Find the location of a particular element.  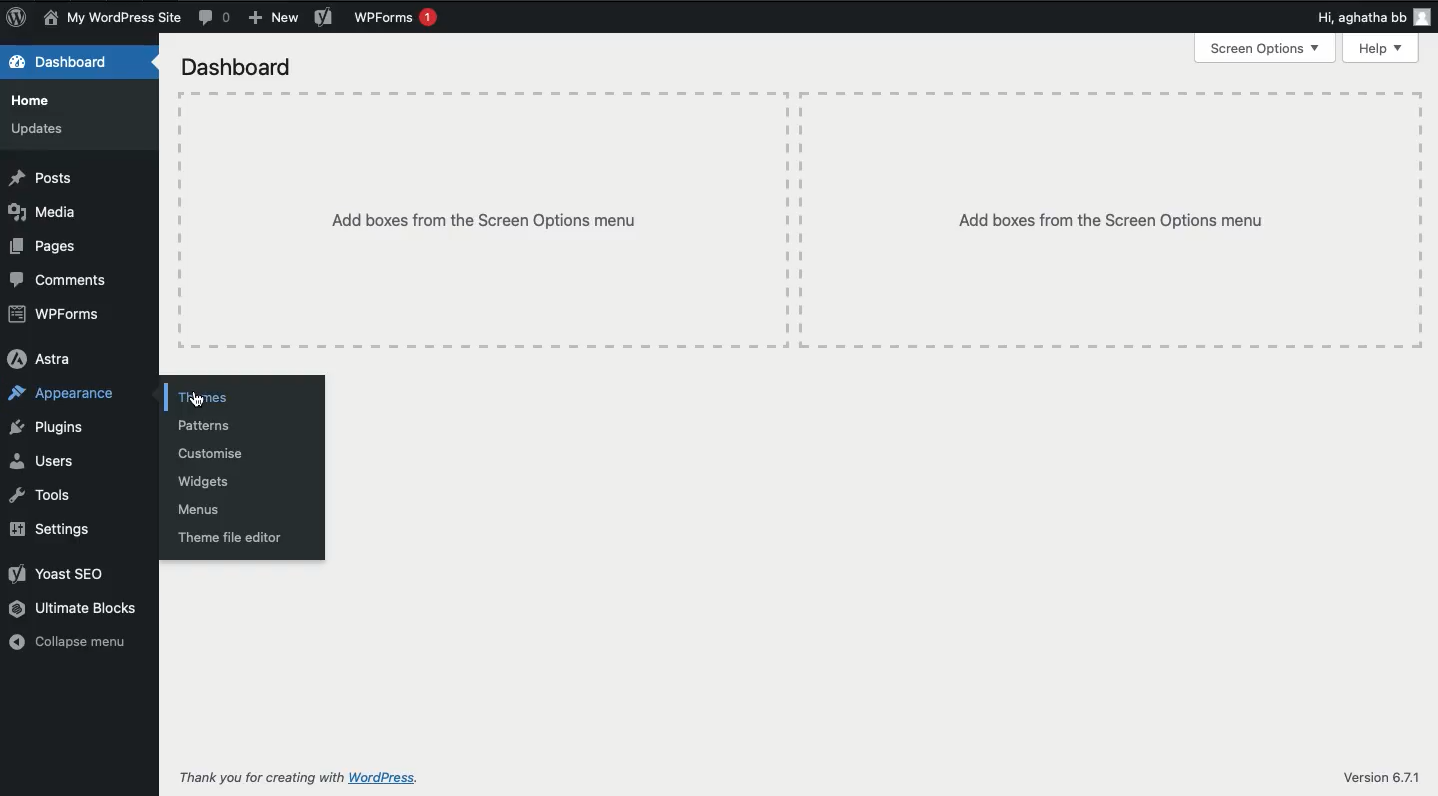

Tools is located at coordinates (41, 496).